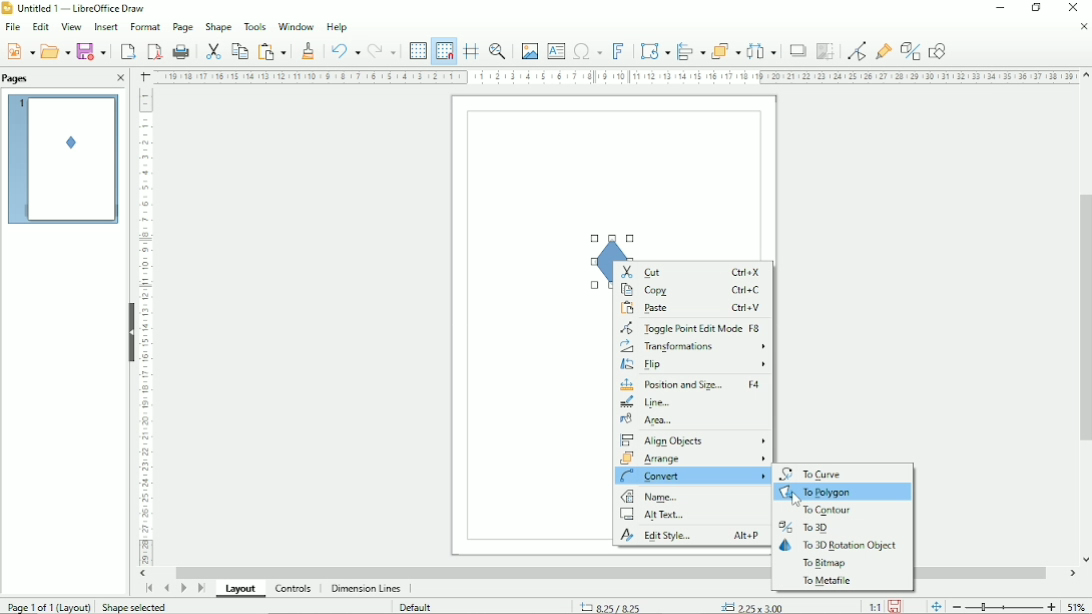 The image size is (1092, 614). Describe the element at coordinates (652, 50) in the screenshot. I see `Transformation` at that location.